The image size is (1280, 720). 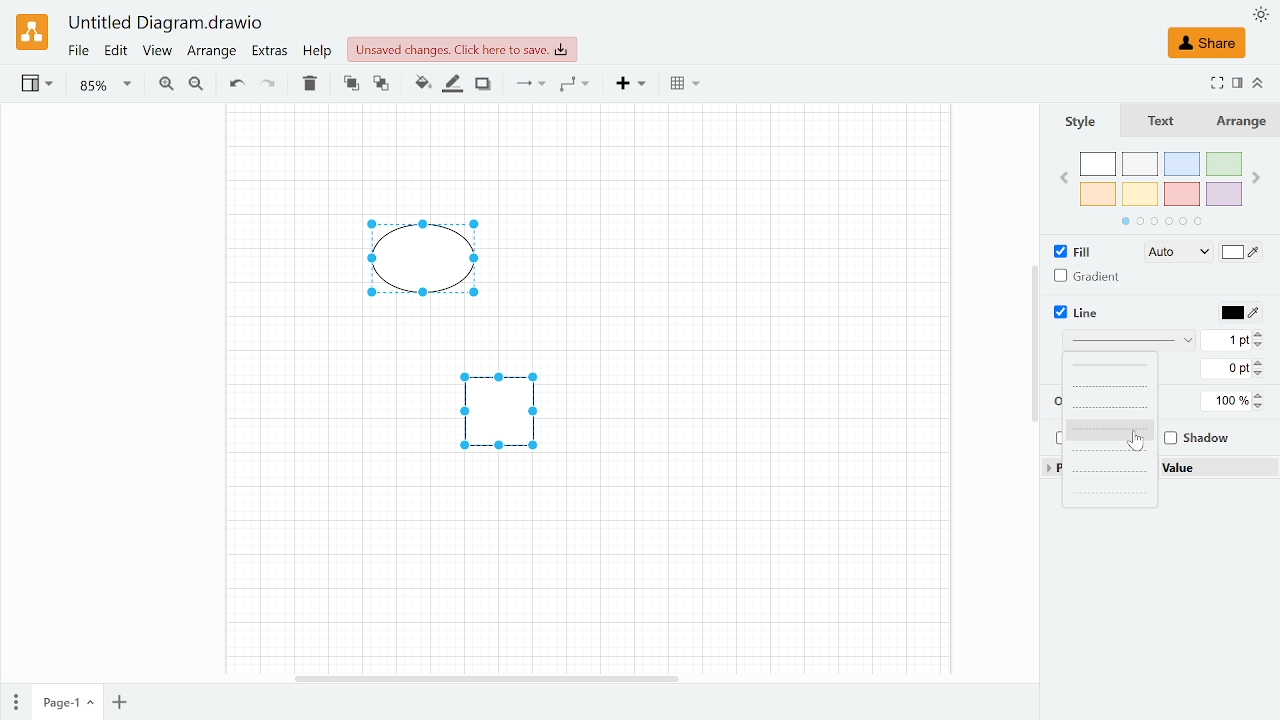 I want to click on Extras, so click(x=270, y=53).